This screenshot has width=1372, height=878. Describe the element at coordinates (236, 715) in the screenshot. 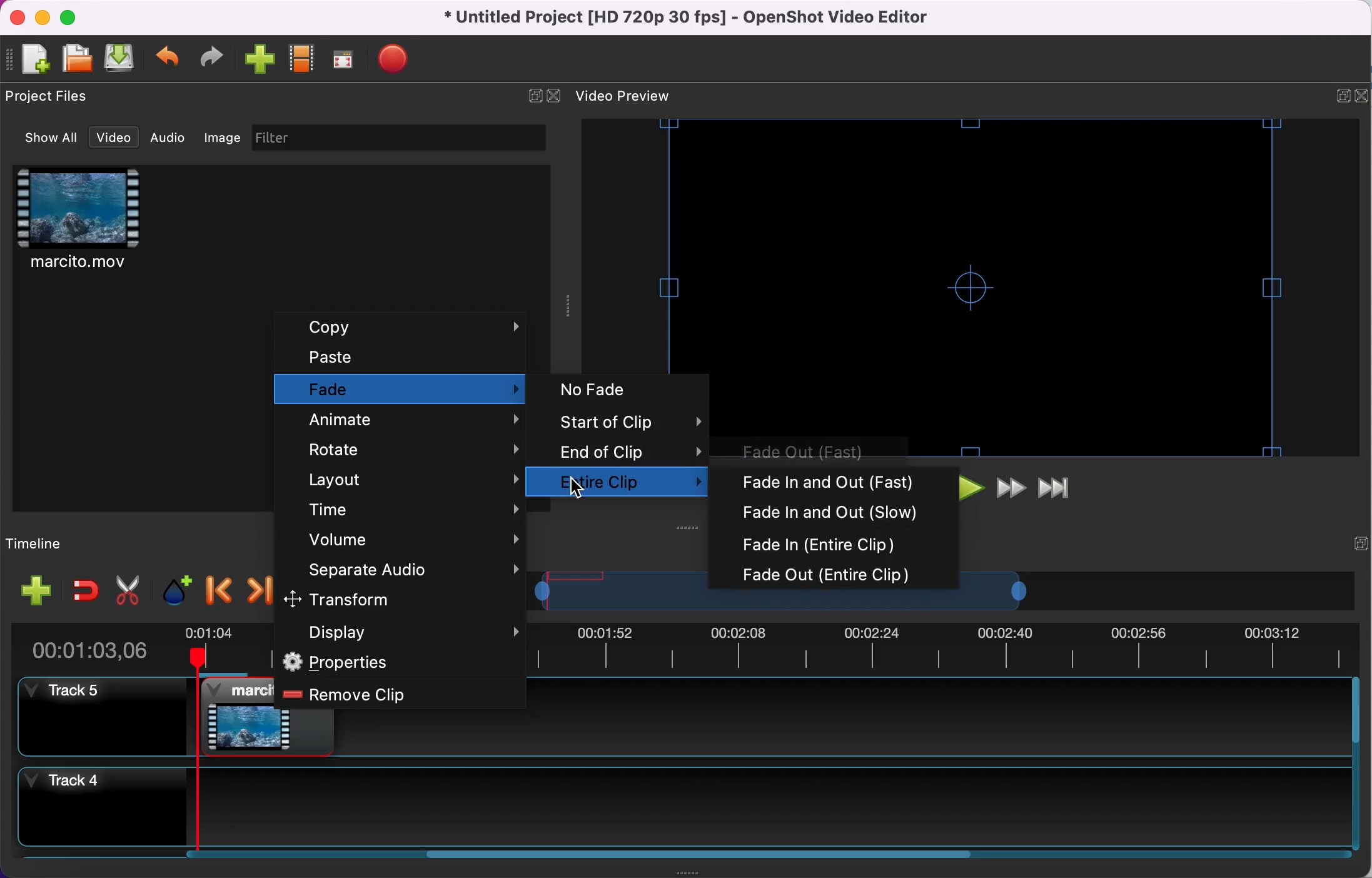

I see `clip` at that location.